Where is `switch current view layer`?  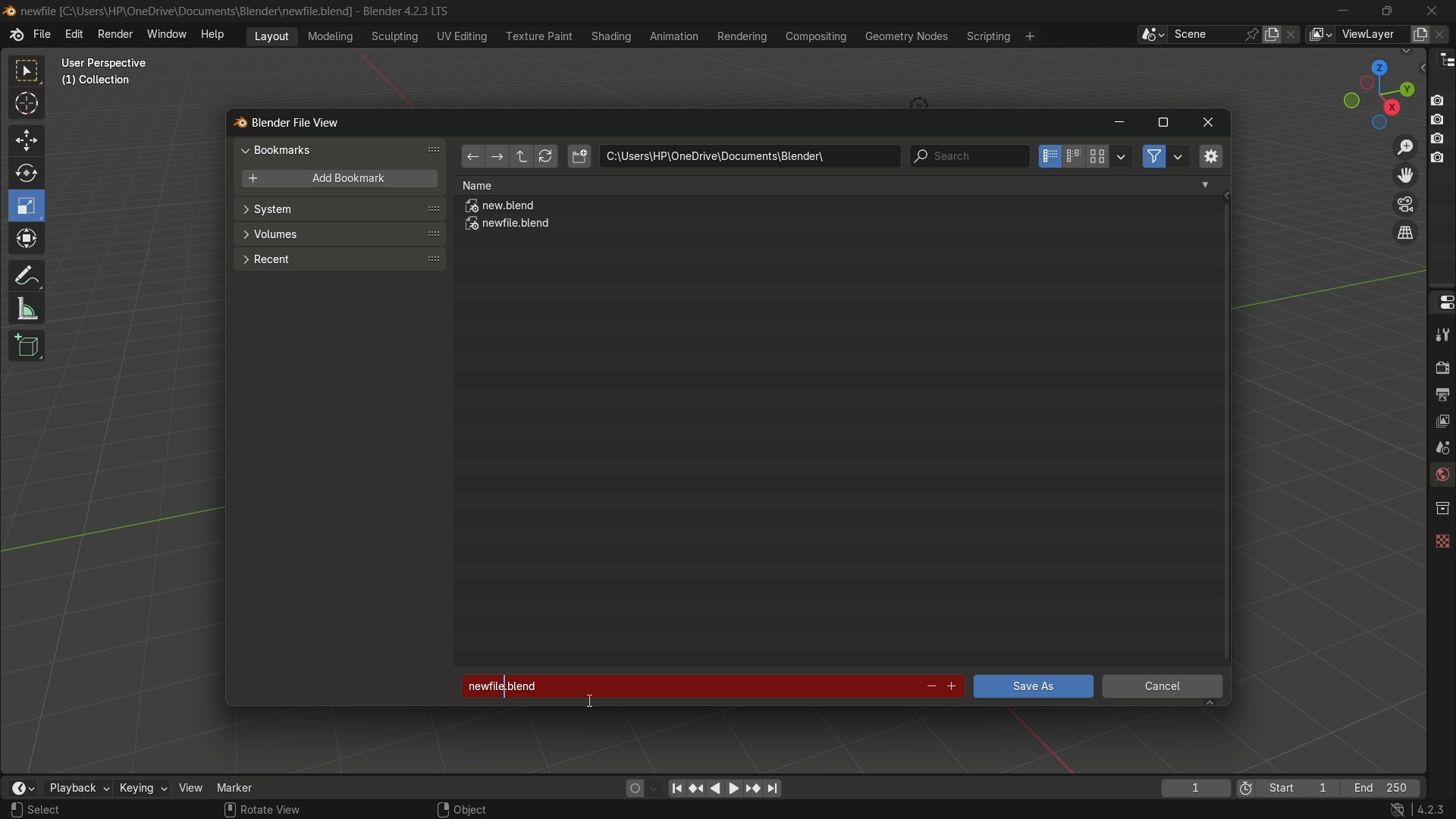
switch current view layer is located at coordinates (1405, 234).